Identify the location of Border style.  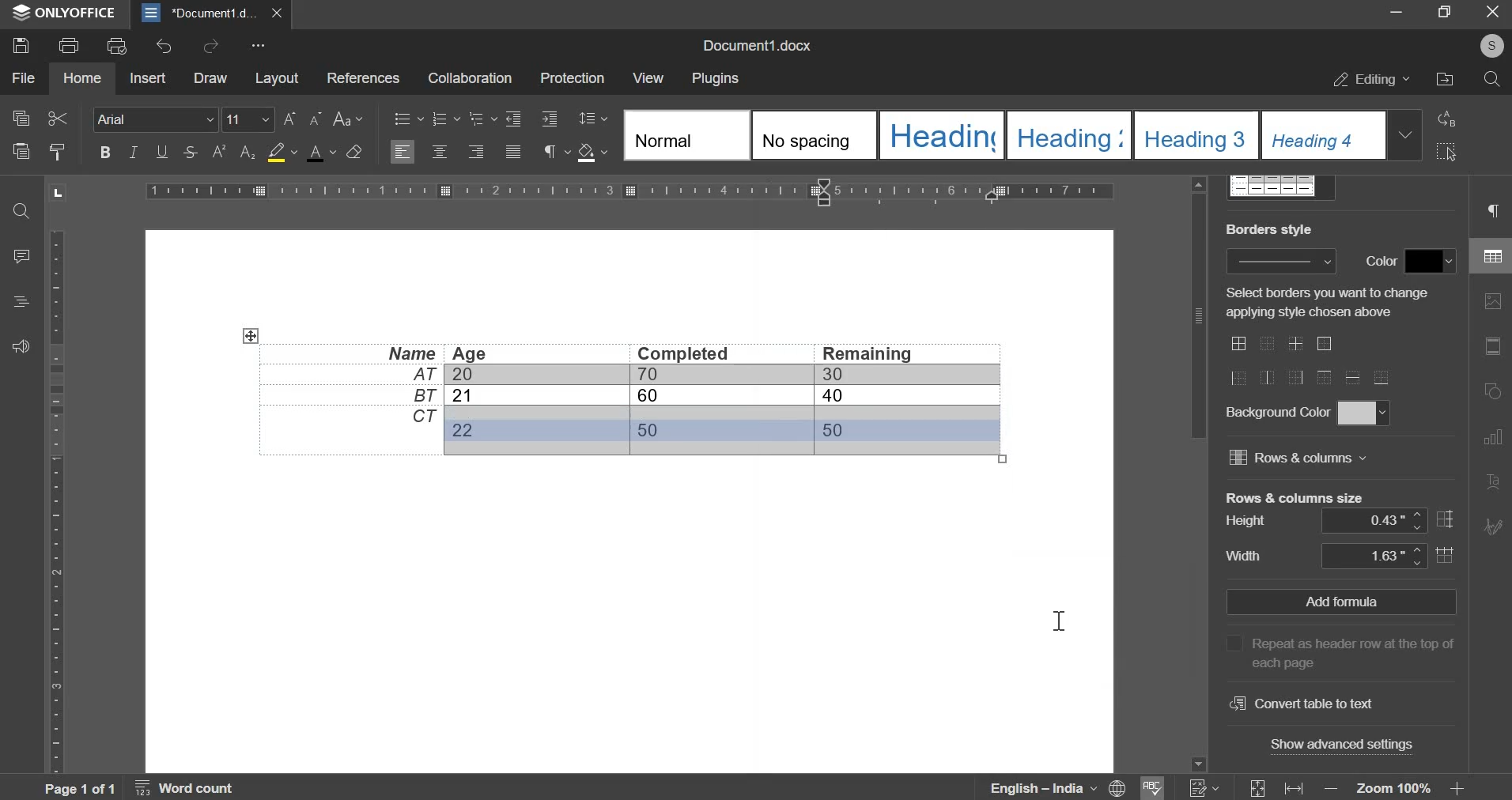
(1280, 261).